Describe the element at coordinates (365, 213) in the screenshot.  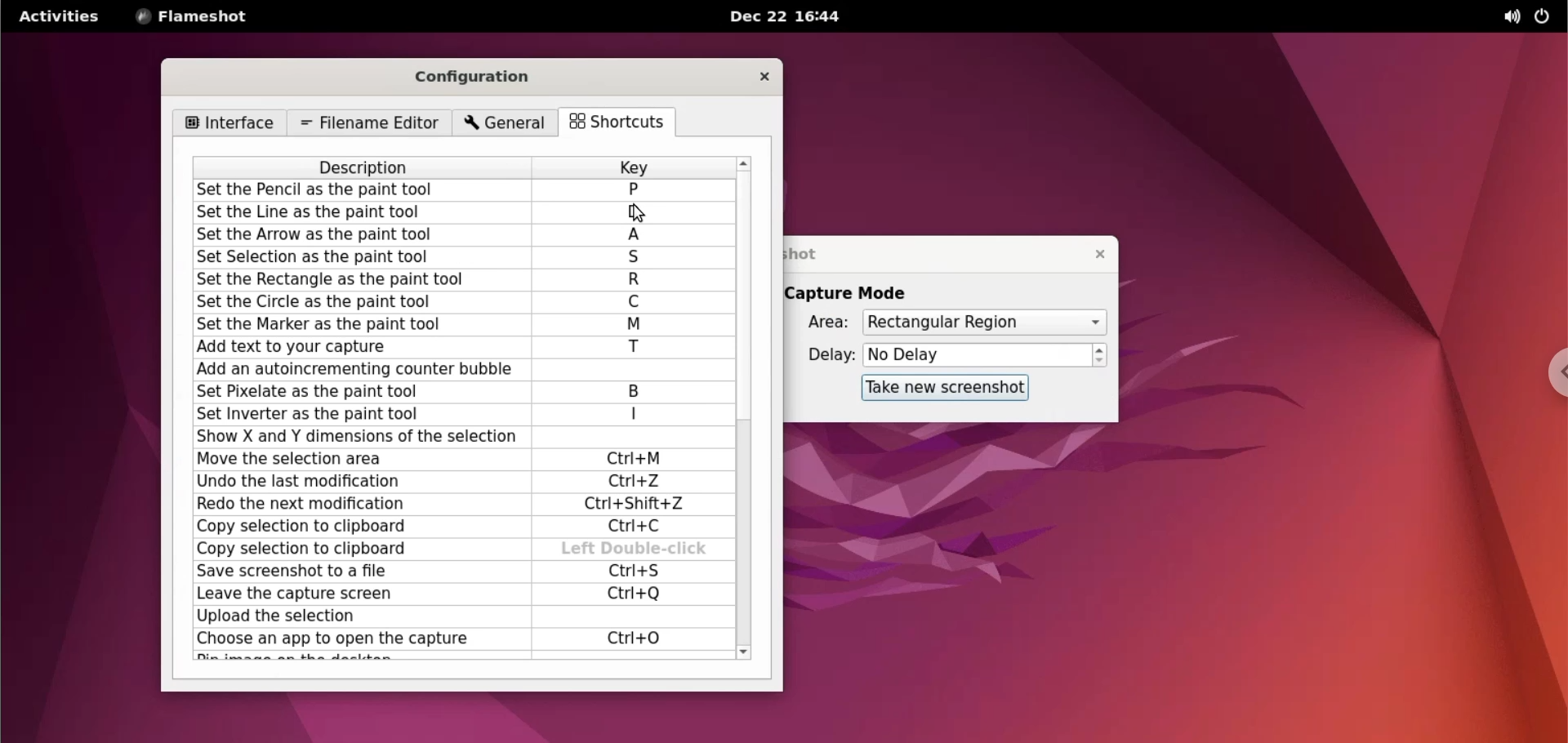
I see `set the line as the paint tool` at that location.